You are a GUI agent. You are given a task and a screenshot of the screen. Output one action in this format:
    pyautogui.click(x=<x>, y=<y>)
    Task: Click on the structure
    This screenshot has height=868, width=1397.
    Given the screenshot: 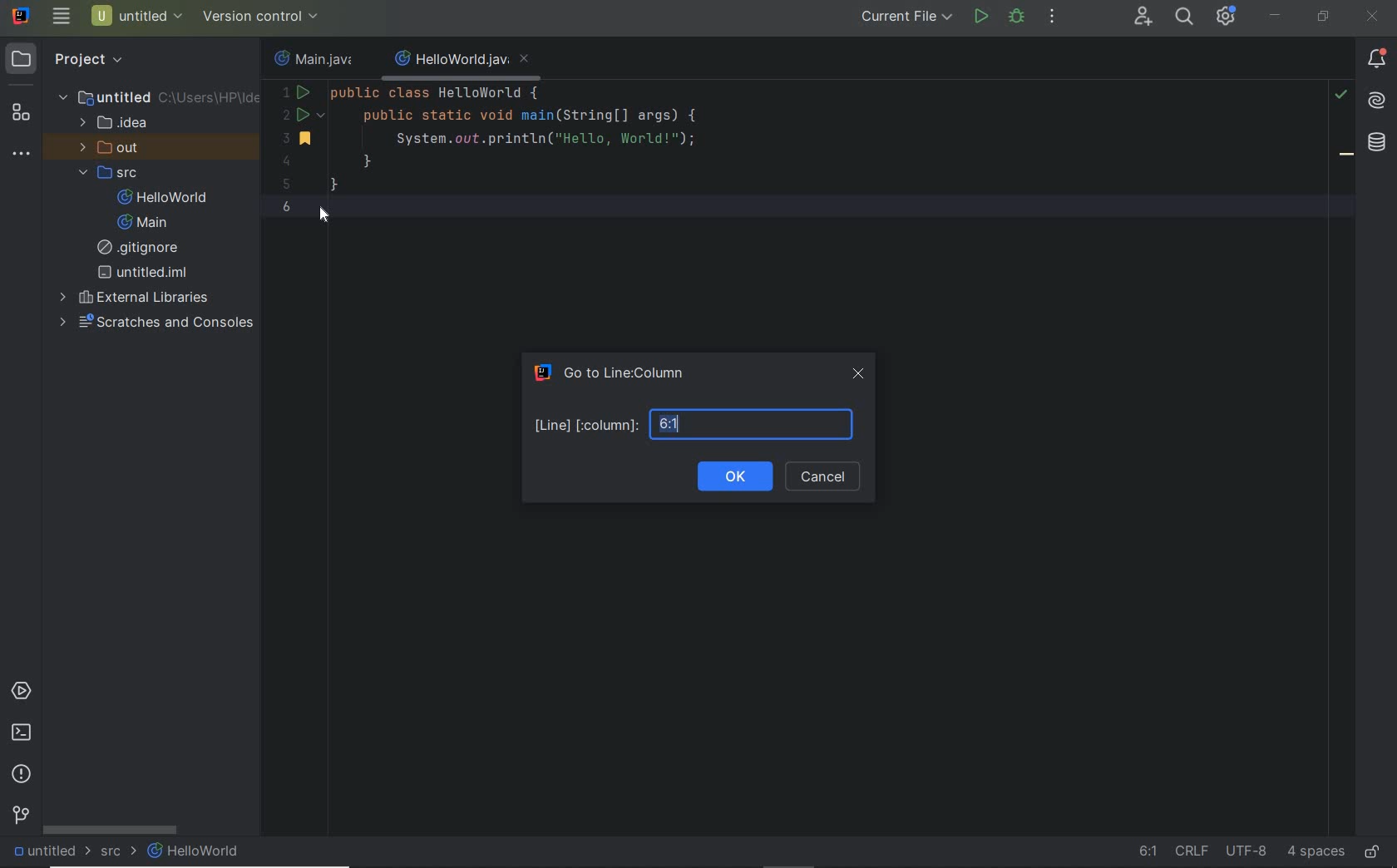 What is the action you would take?
    pyautogui.click(x=20, y=114)
    